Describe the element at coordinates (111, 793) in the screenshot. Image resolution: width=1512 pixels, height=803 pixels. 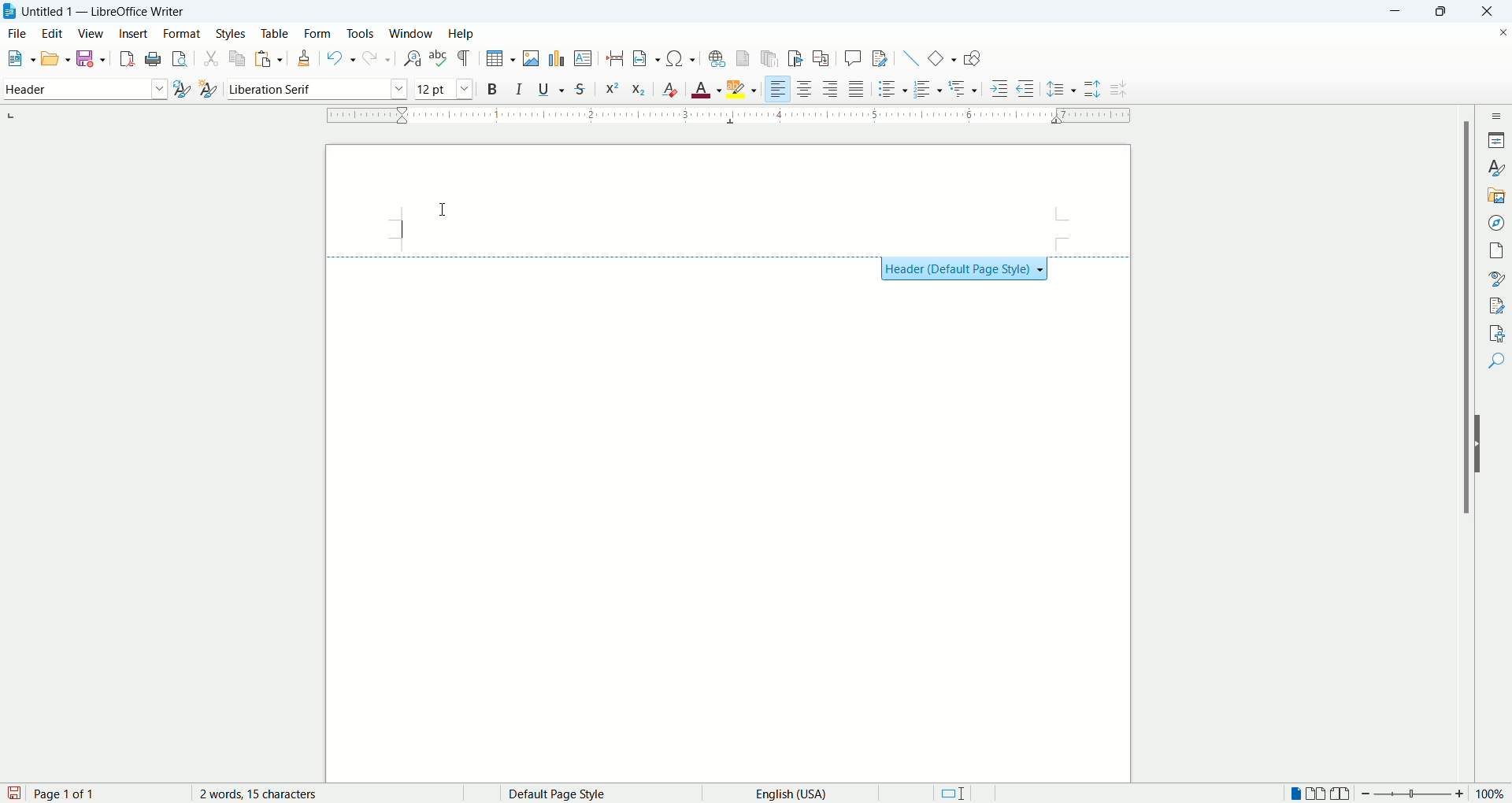
I see `page count` at that location.